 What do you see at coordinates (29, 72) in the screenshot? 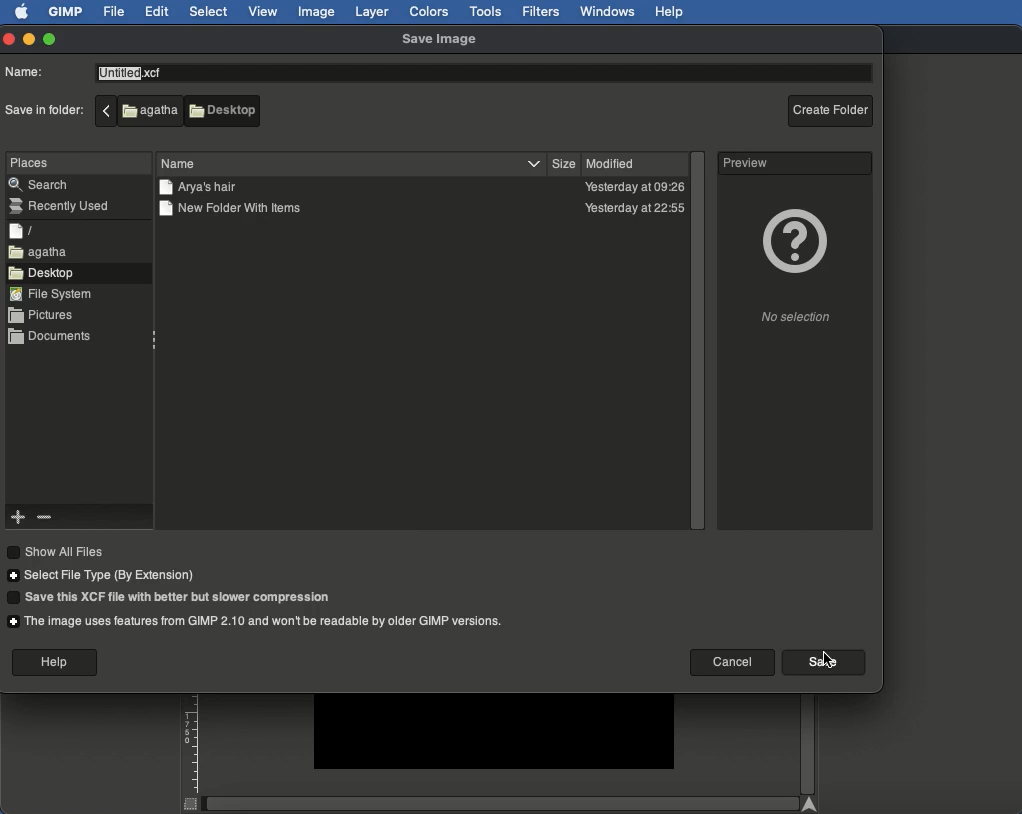
I see `Name` at bounding box center [29, 72].